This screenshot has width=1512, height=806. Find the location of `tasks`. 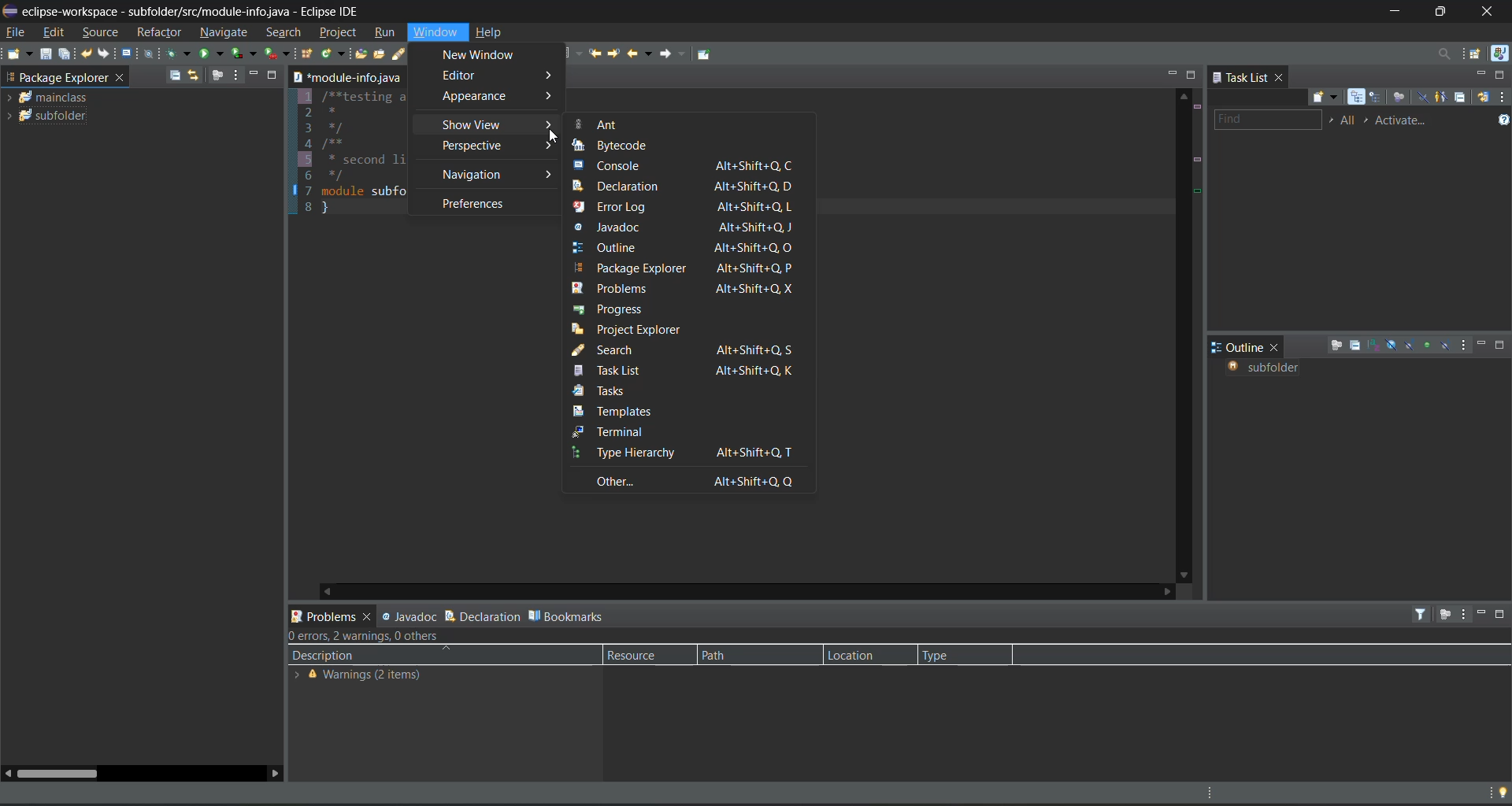

tasks is located at coordinates (616, 393).